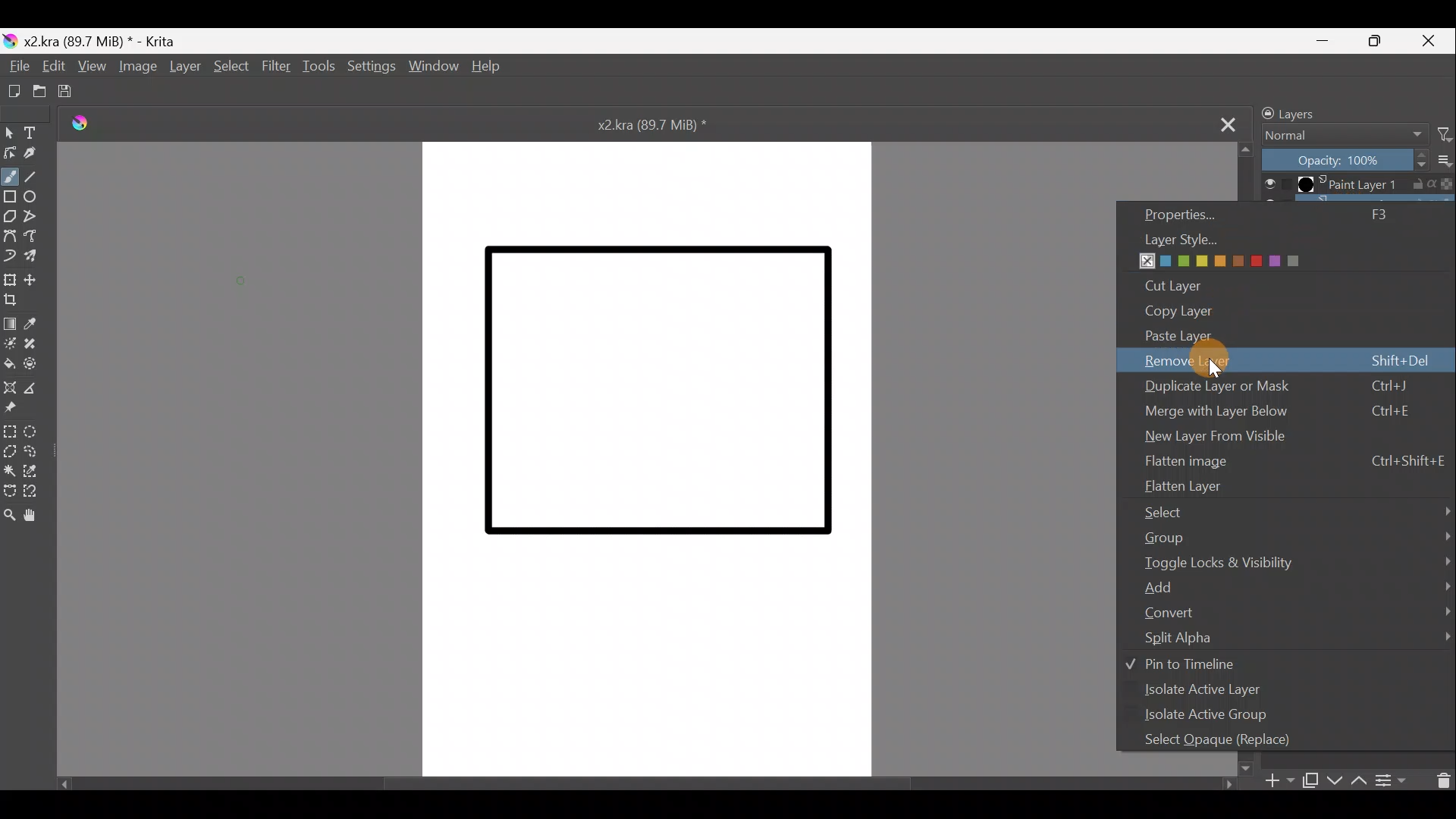 Image resolution: width=1456 pixels, height=819 pixels. Describe the element at coordinates (12, 177) in the screenshot. I see `Freehand brush tool` at that location.